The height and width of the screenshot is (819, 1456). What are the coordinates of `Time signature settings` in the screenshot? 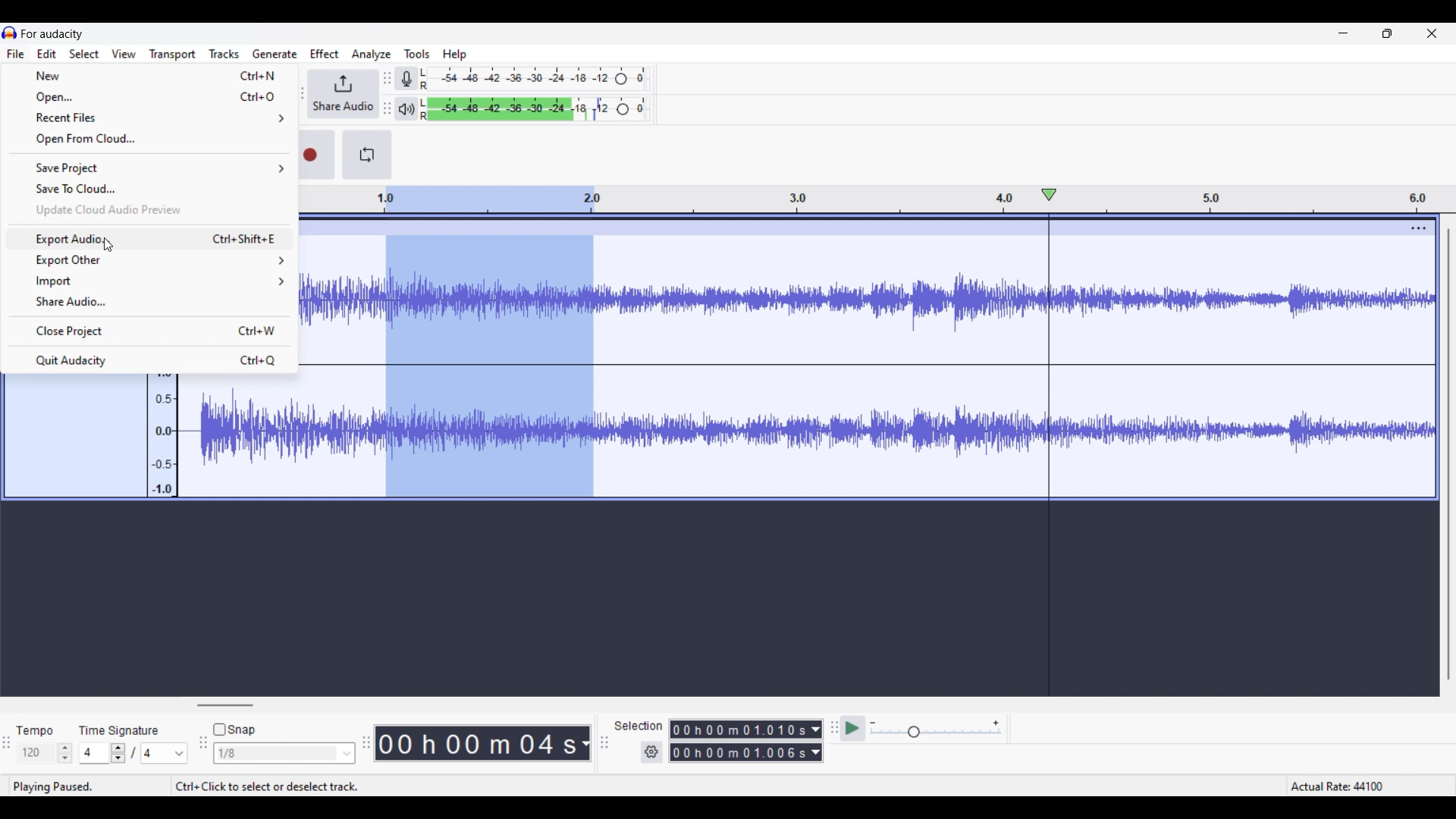 It's located at (133, 753).